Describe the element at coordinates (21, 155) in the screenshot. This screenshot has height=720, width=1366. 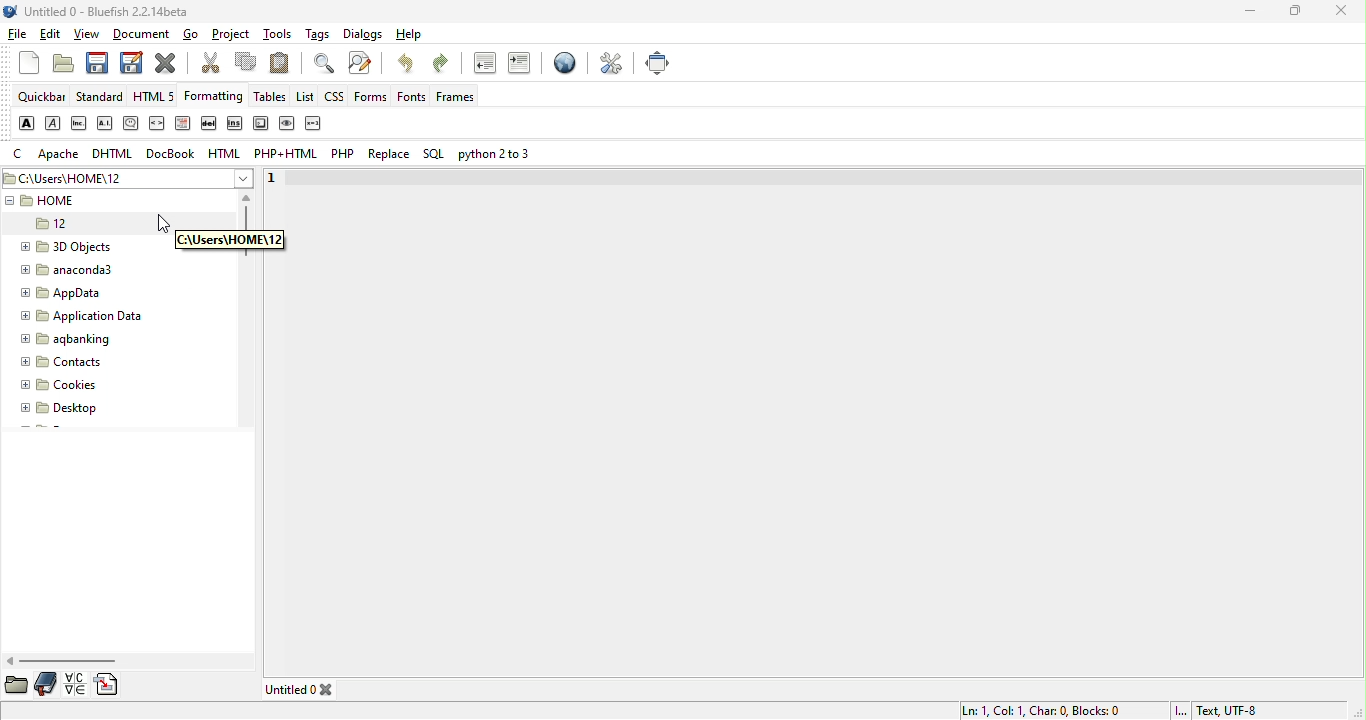
I see `c` at that location.